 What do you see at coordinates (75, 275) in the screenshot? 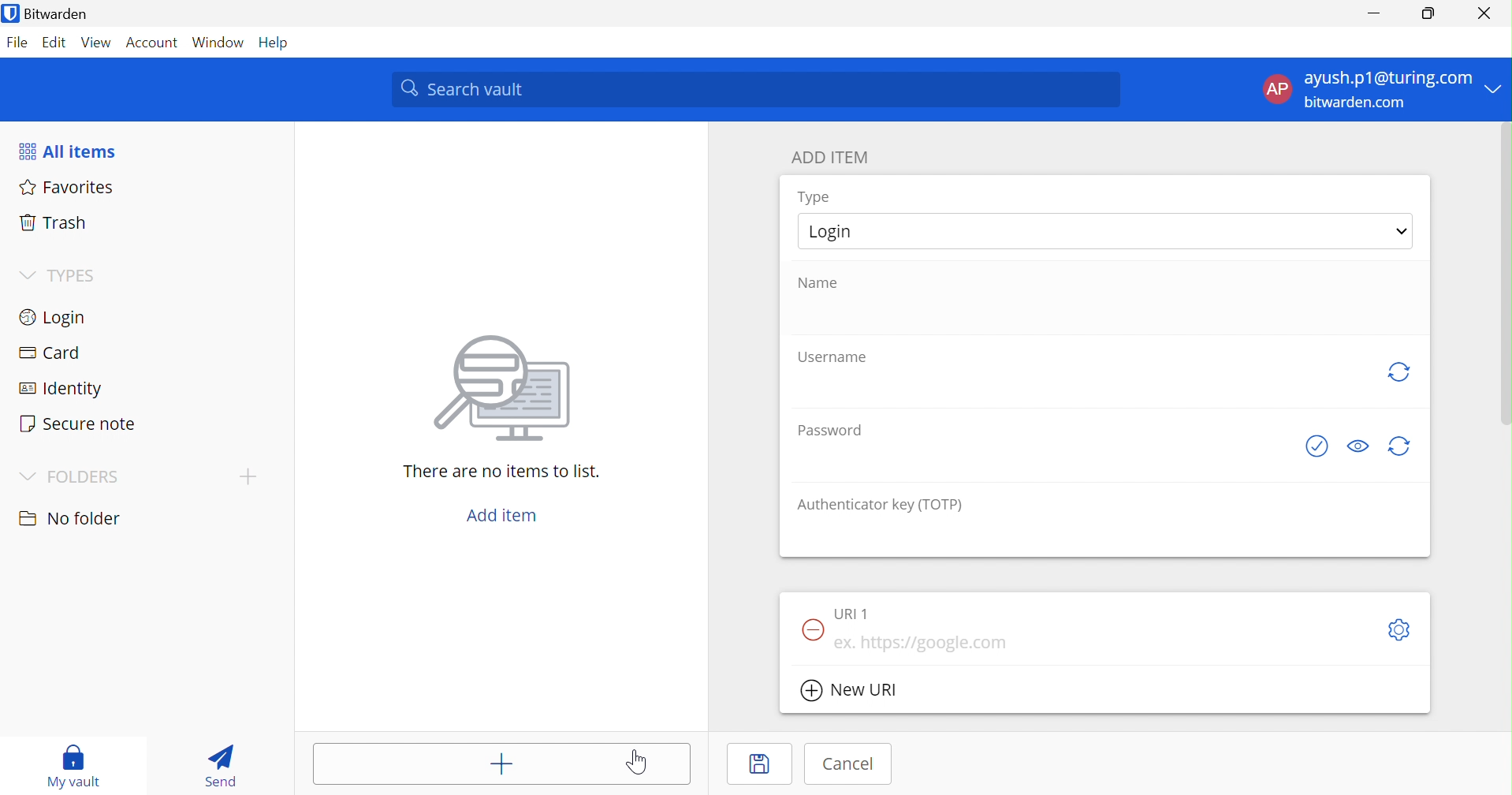
I see `TYPES` at bounding box center [75, 275].